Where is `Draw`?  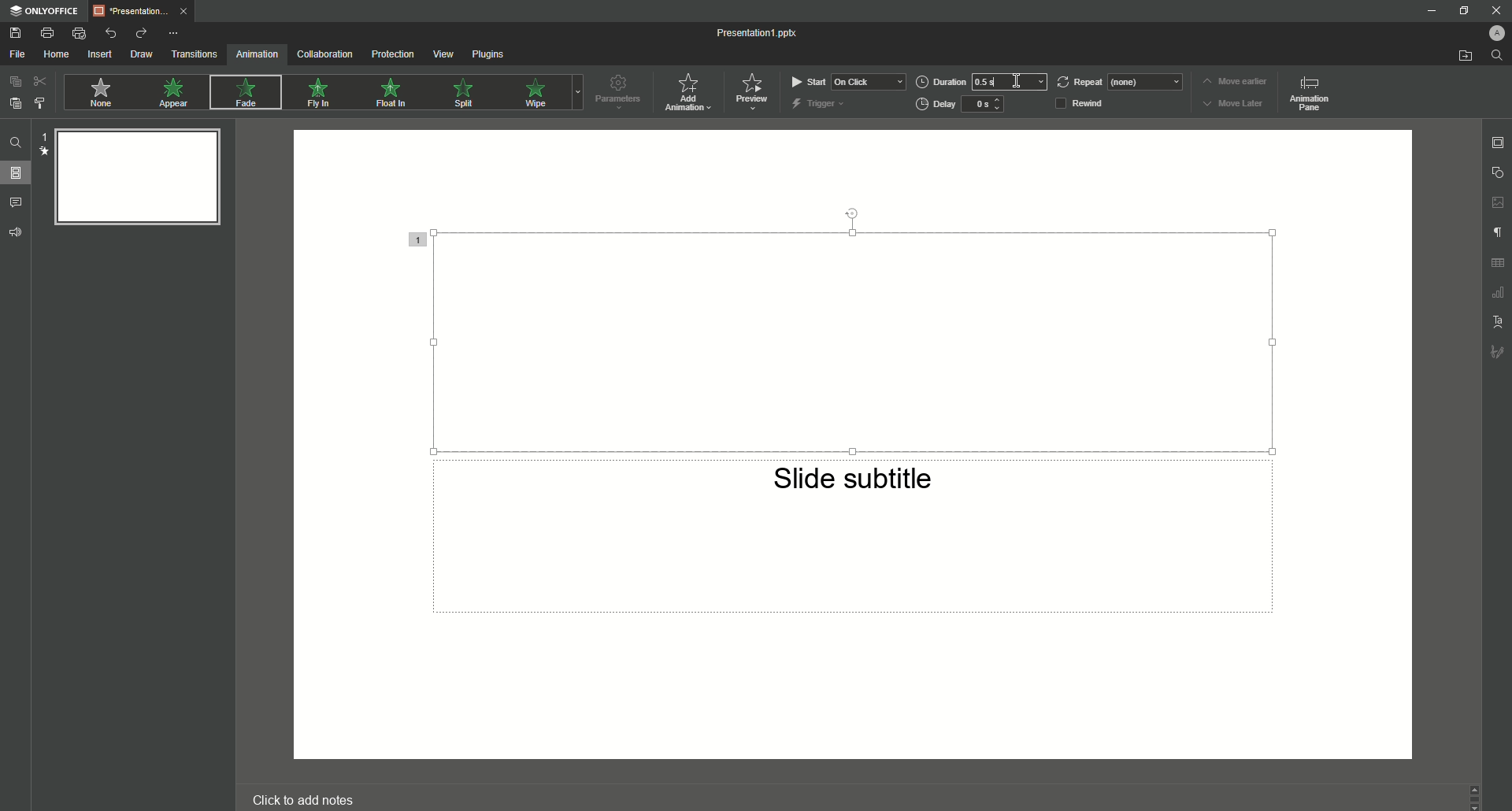
Draw is located at coordinates (143, 54).